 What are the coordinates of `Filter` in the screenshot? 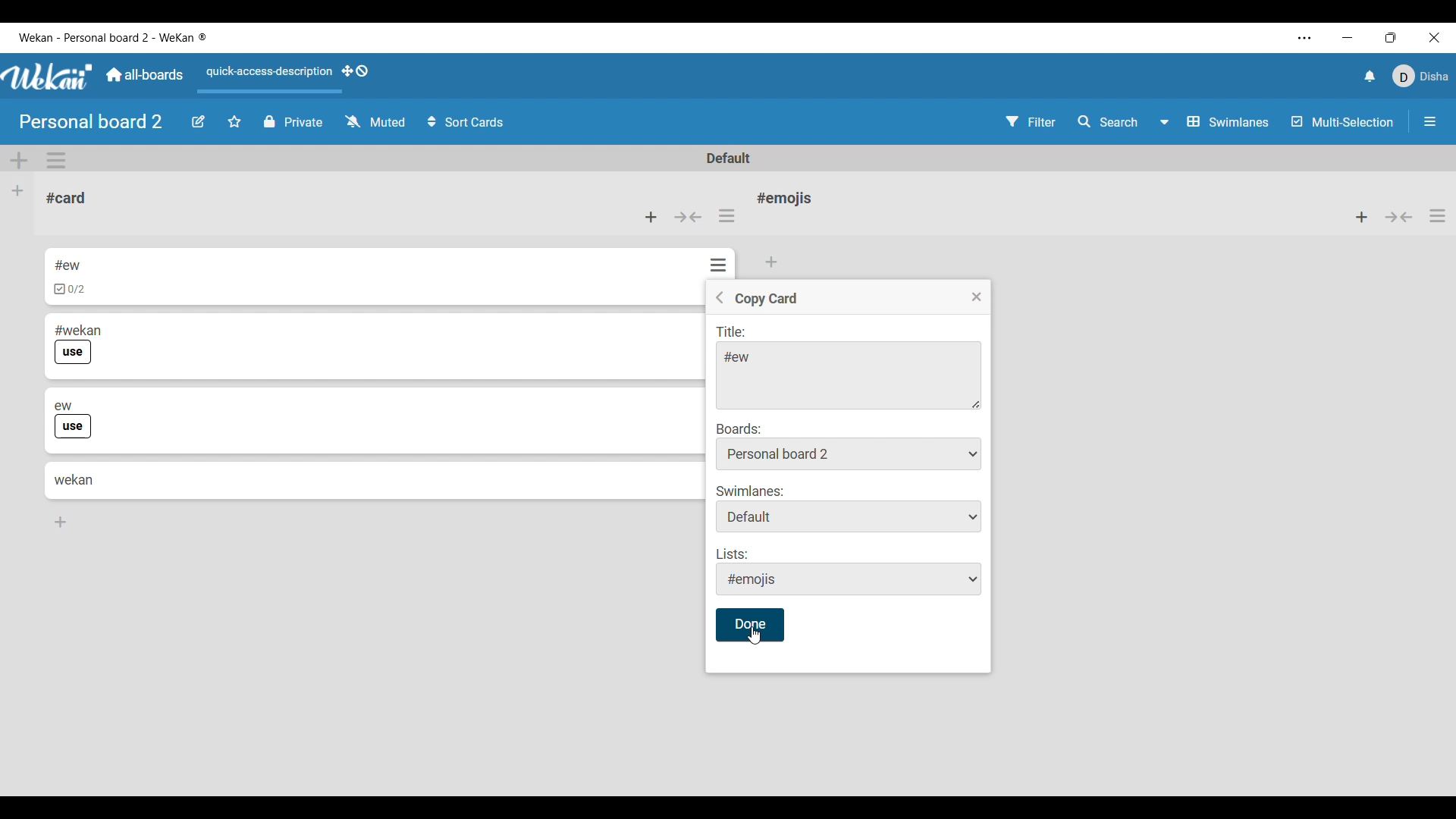 It's located at (1031, 121).